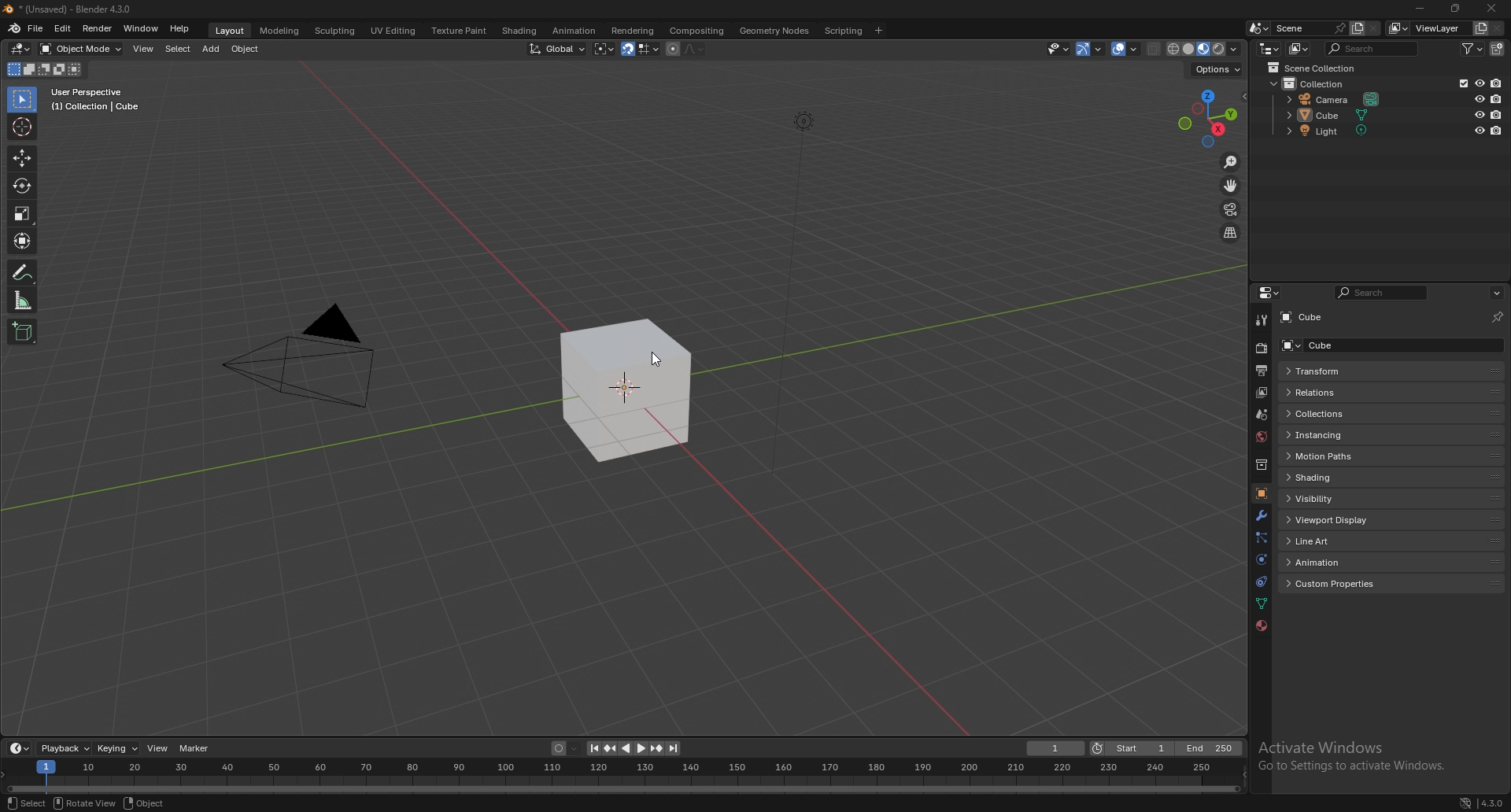 Image resolution: width=1511 pixels, height=812 pixels. What do you see at coordinates (79, 9) in the screenshot?
I see `* (Unsaved) - Blender 4.3.0` at bounding box center [79, 9].